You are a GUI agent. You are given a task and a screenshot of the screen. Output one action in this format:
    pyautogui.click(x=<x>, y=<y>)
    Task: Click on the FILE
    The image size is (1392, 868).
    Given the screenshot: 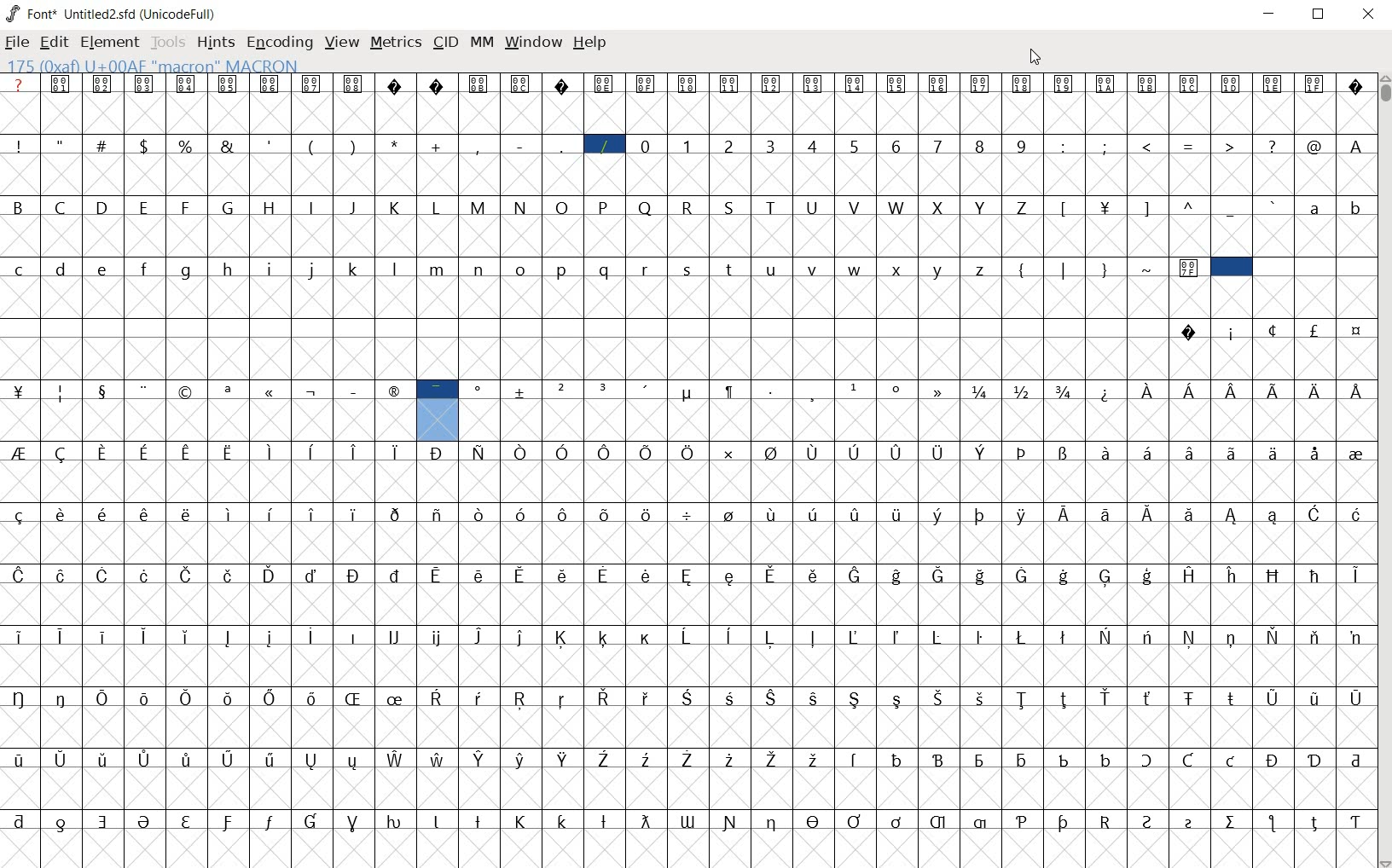 What is the action you would take?
    pyautogui.click(x=17, y=43)
    